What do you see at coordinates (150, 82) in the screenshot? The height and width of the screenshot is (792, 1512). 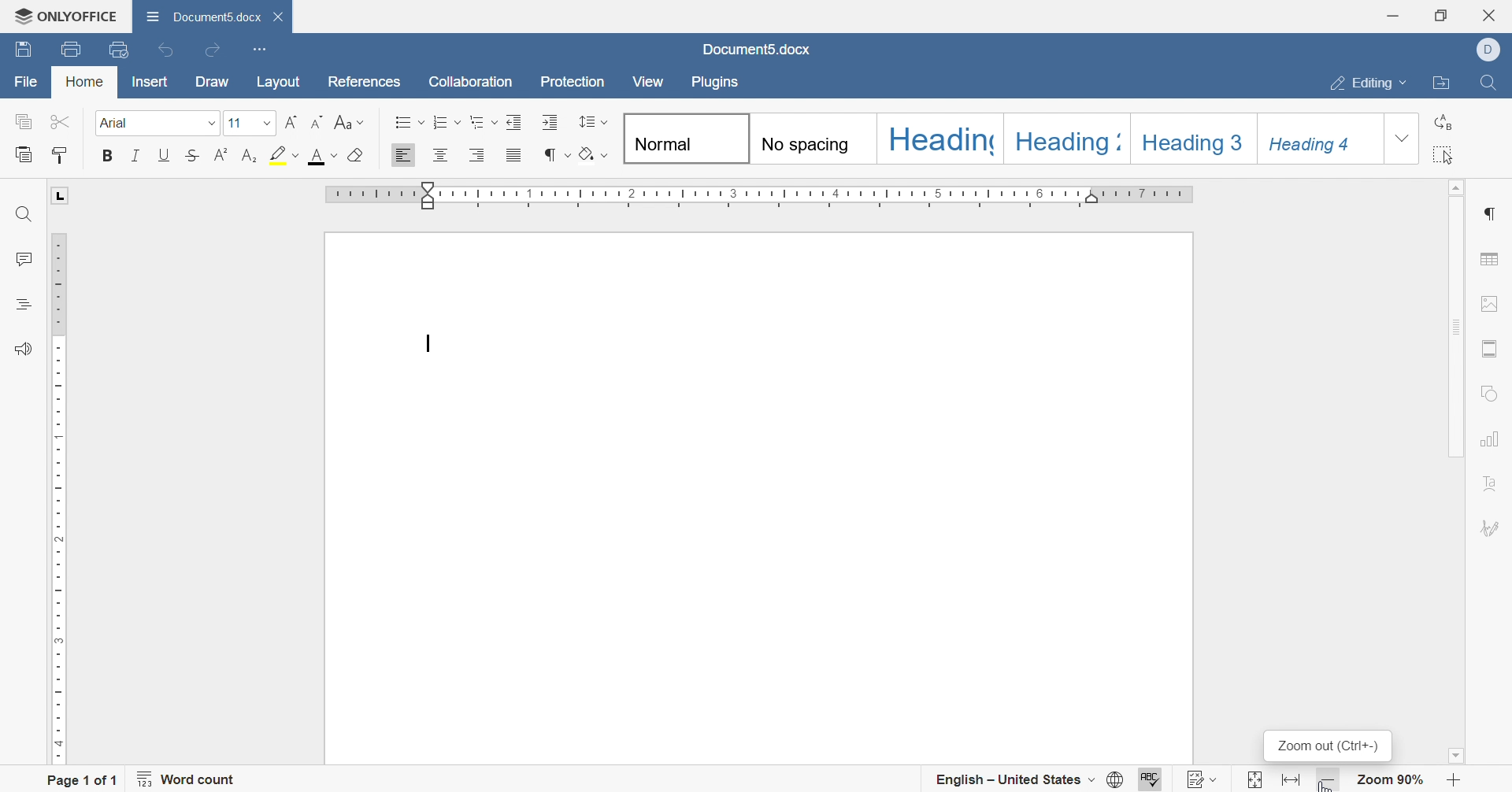 I see `insert` at bounding box center [150, 82].